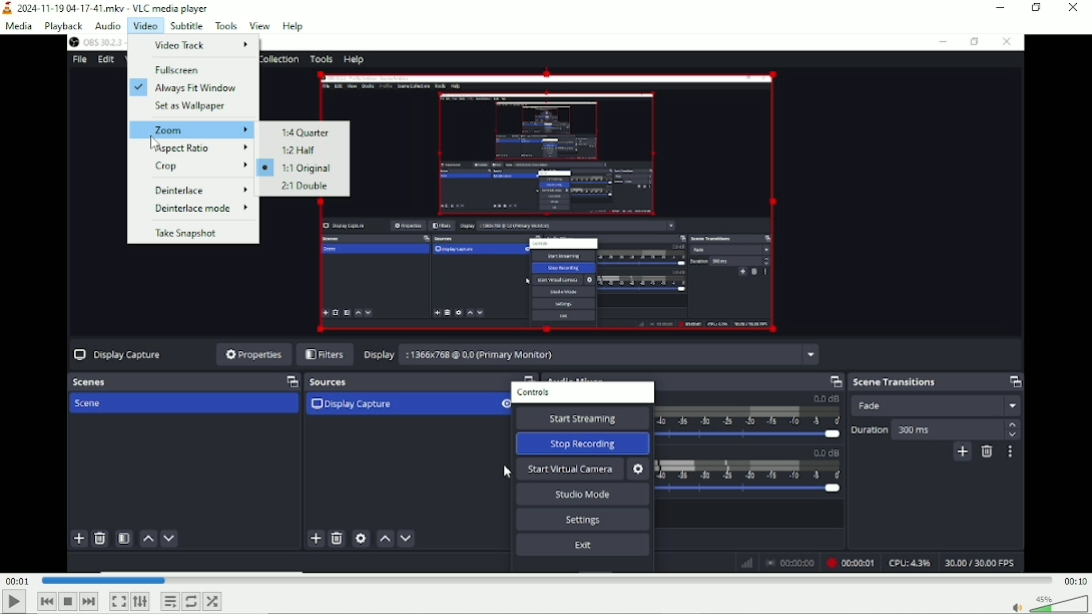 The width and height of the screenshot is (1092, 614). I want to click on Deinterlace, so click(192, 189).